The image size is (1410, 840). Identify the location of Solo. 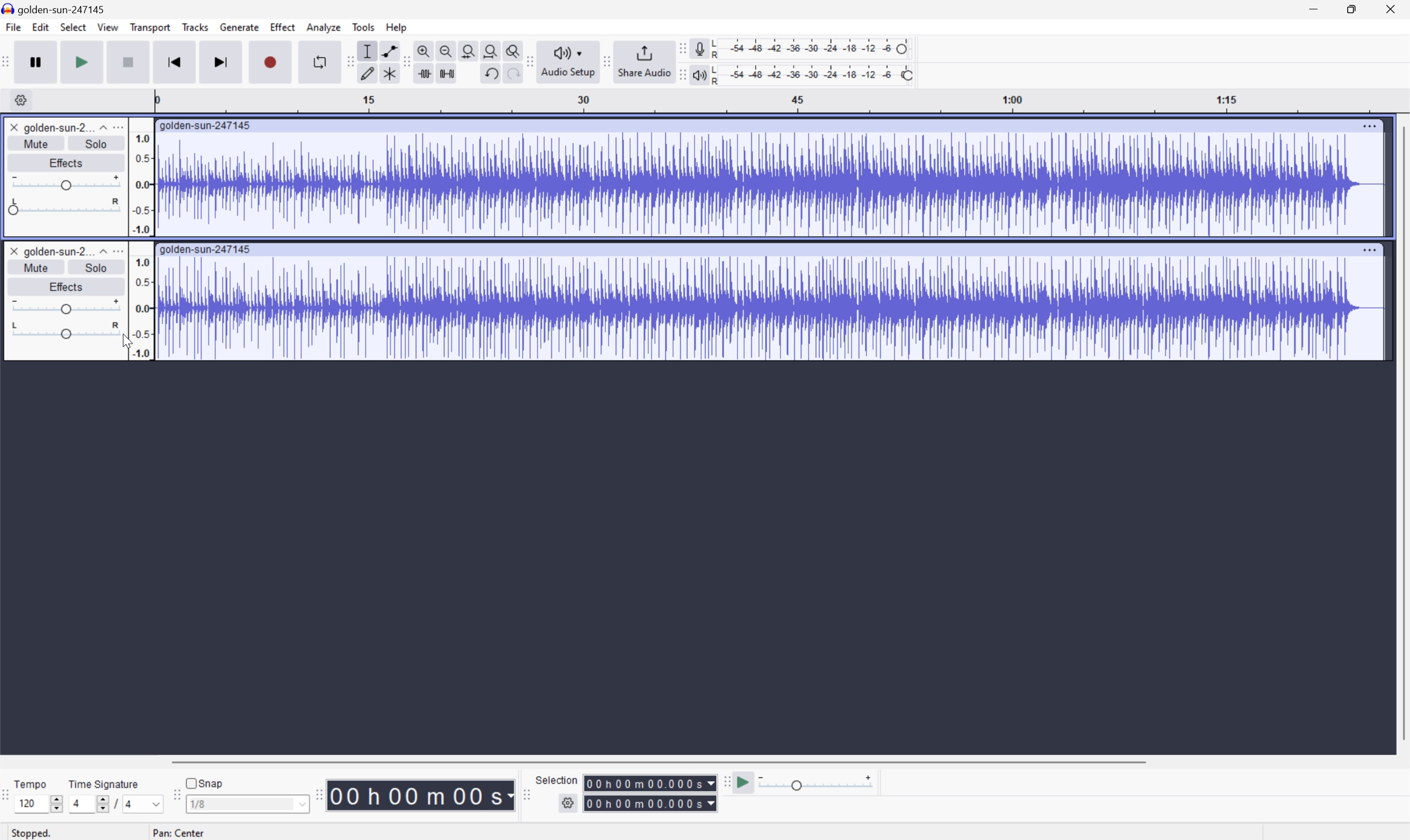
(97, 144).